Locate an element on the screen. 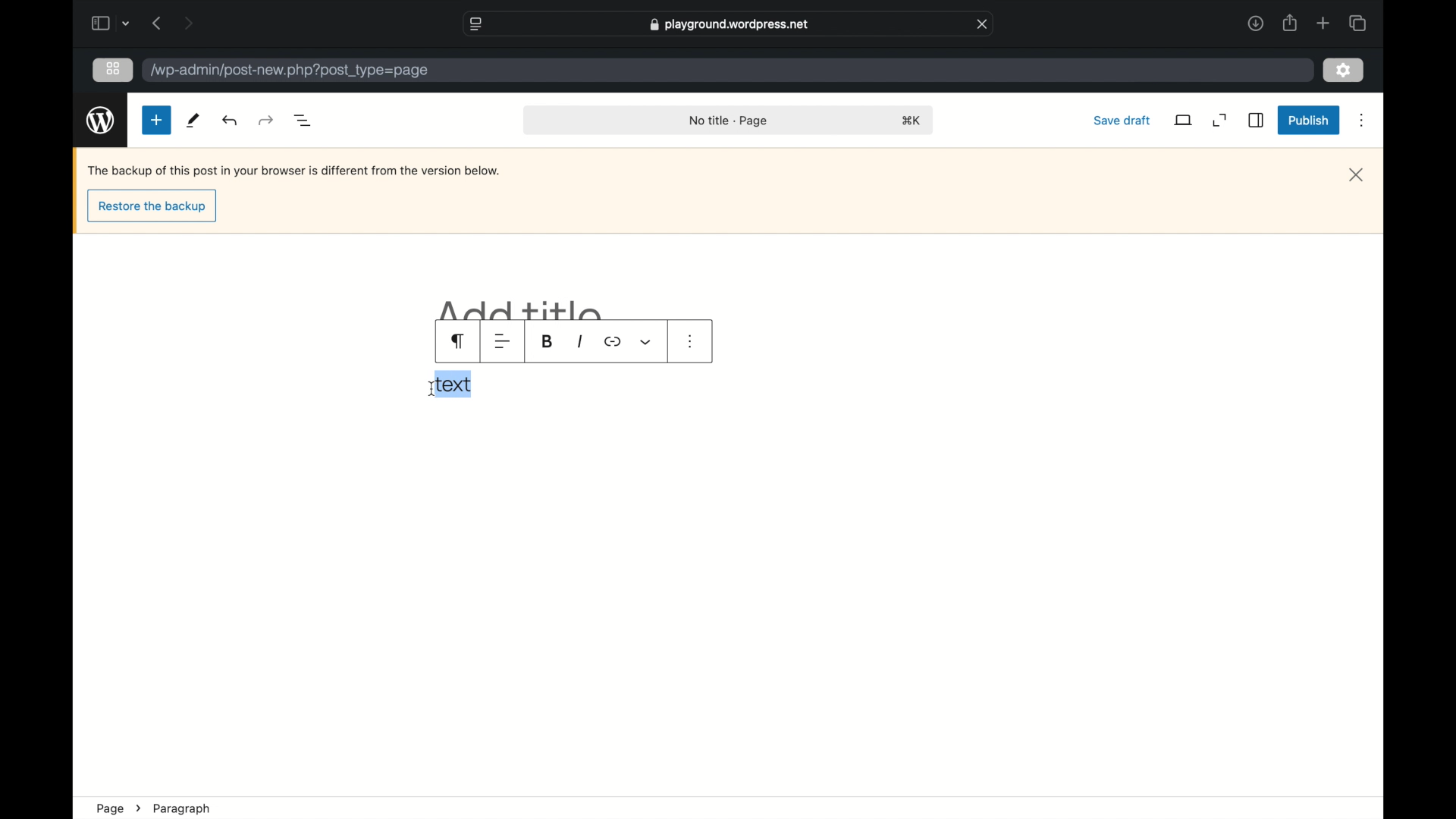 The width and height of the screenshot is (1456, 819). document overview is located at coordinates (302, 119).